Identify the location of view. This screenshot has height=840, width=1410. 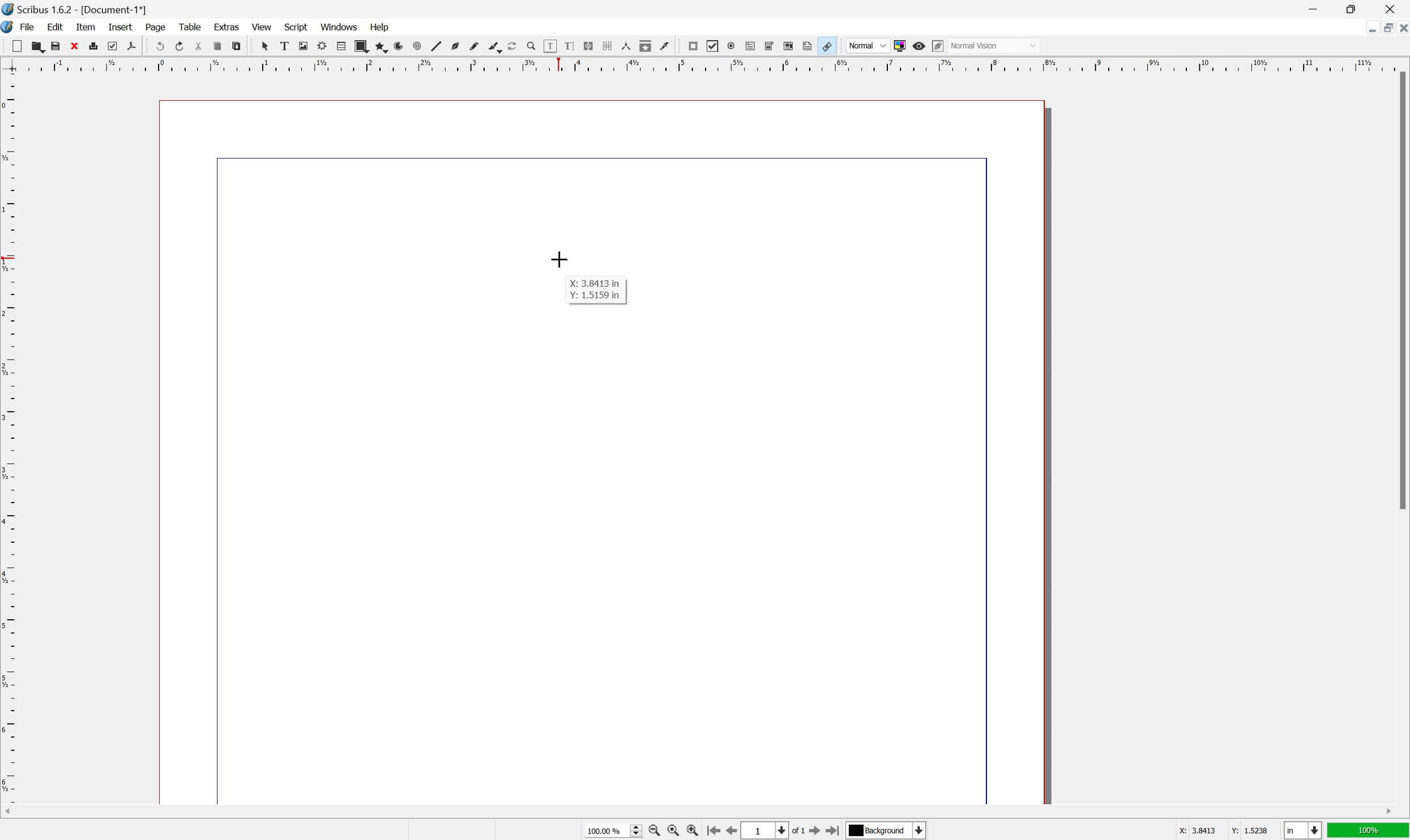
(260, 26).